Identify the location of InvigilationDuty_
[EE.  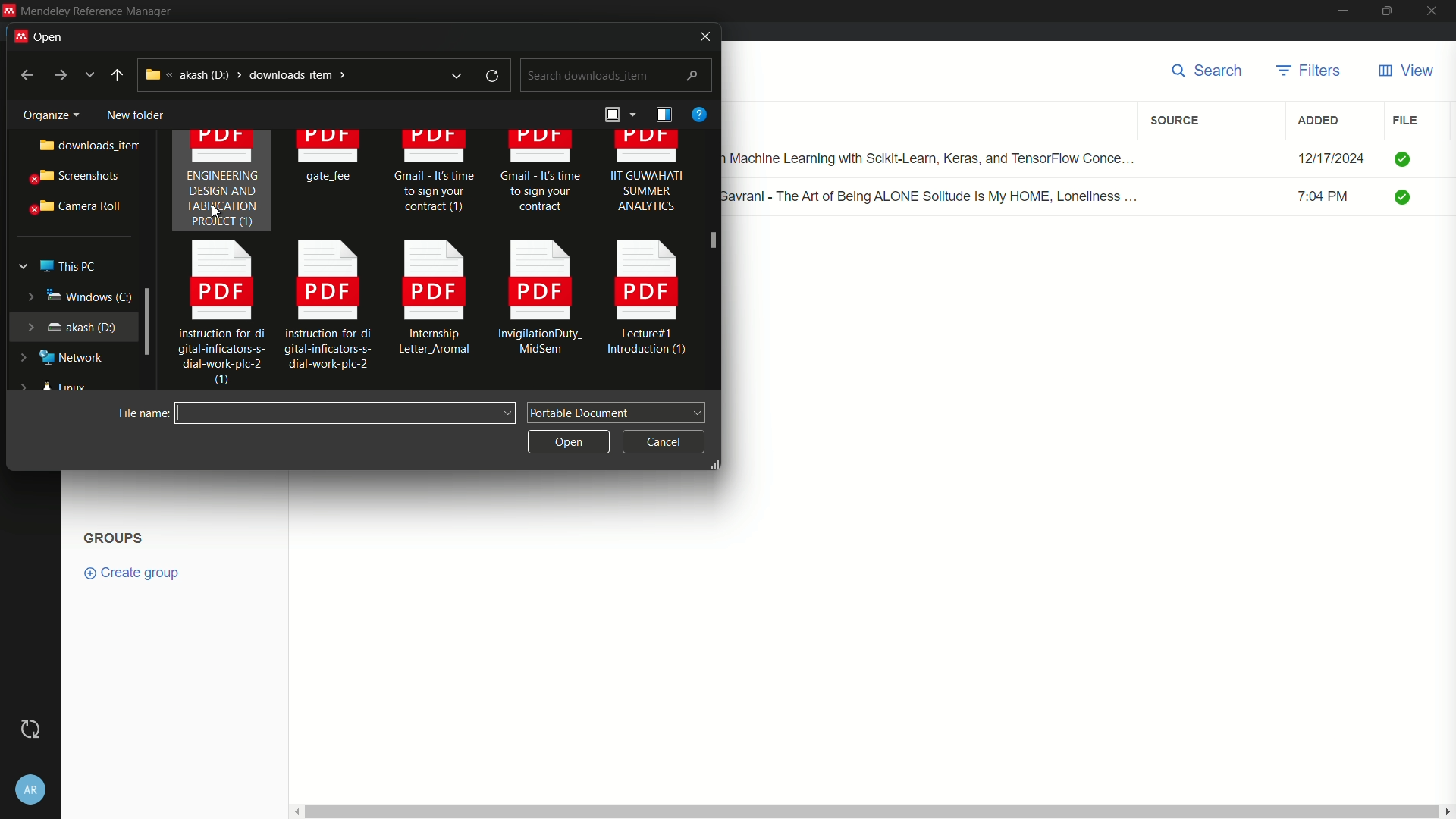
(541, 301).